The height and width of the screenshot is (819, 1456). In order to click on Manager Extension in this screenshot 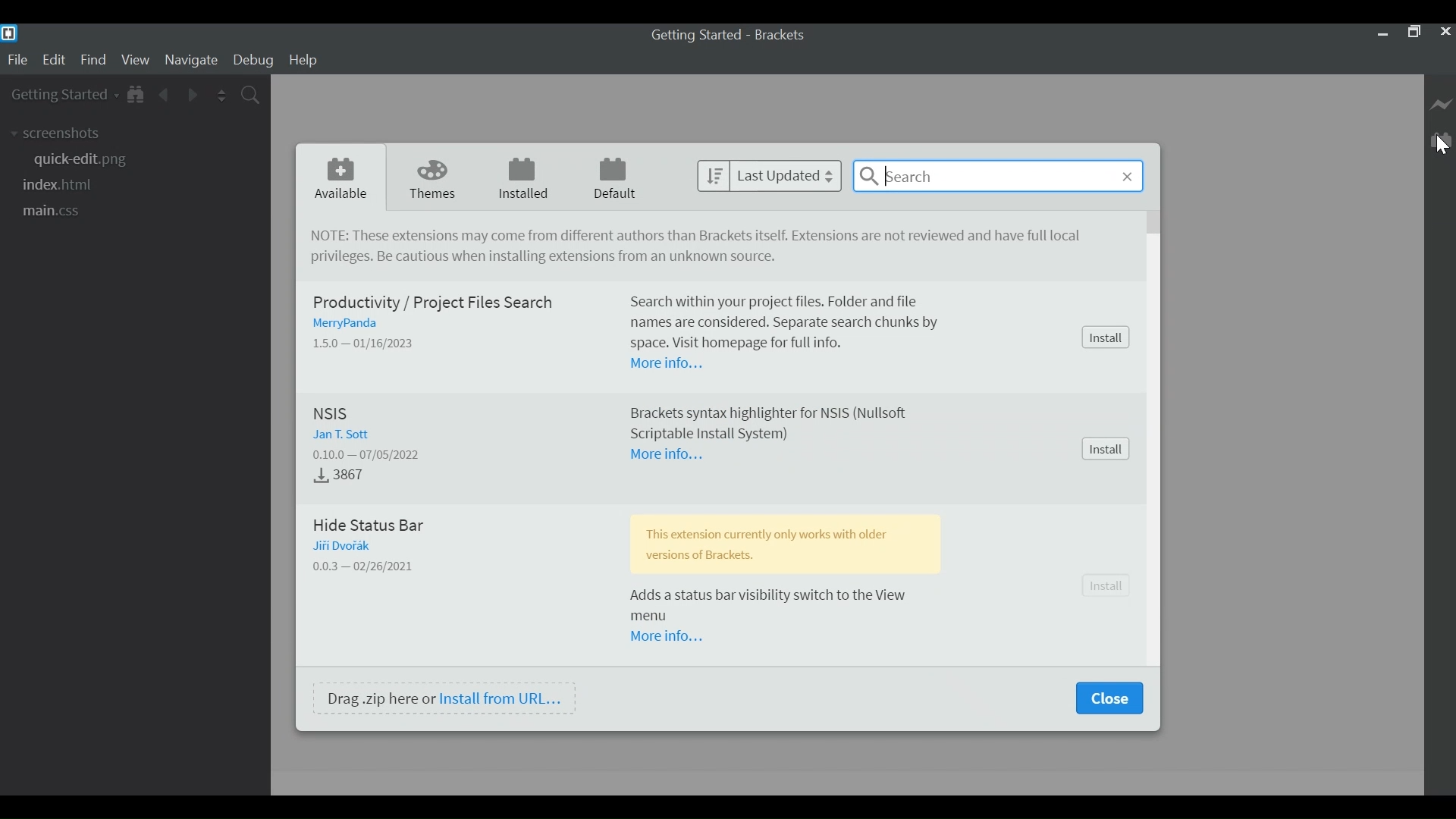, I will do `click(1439, 140)`.